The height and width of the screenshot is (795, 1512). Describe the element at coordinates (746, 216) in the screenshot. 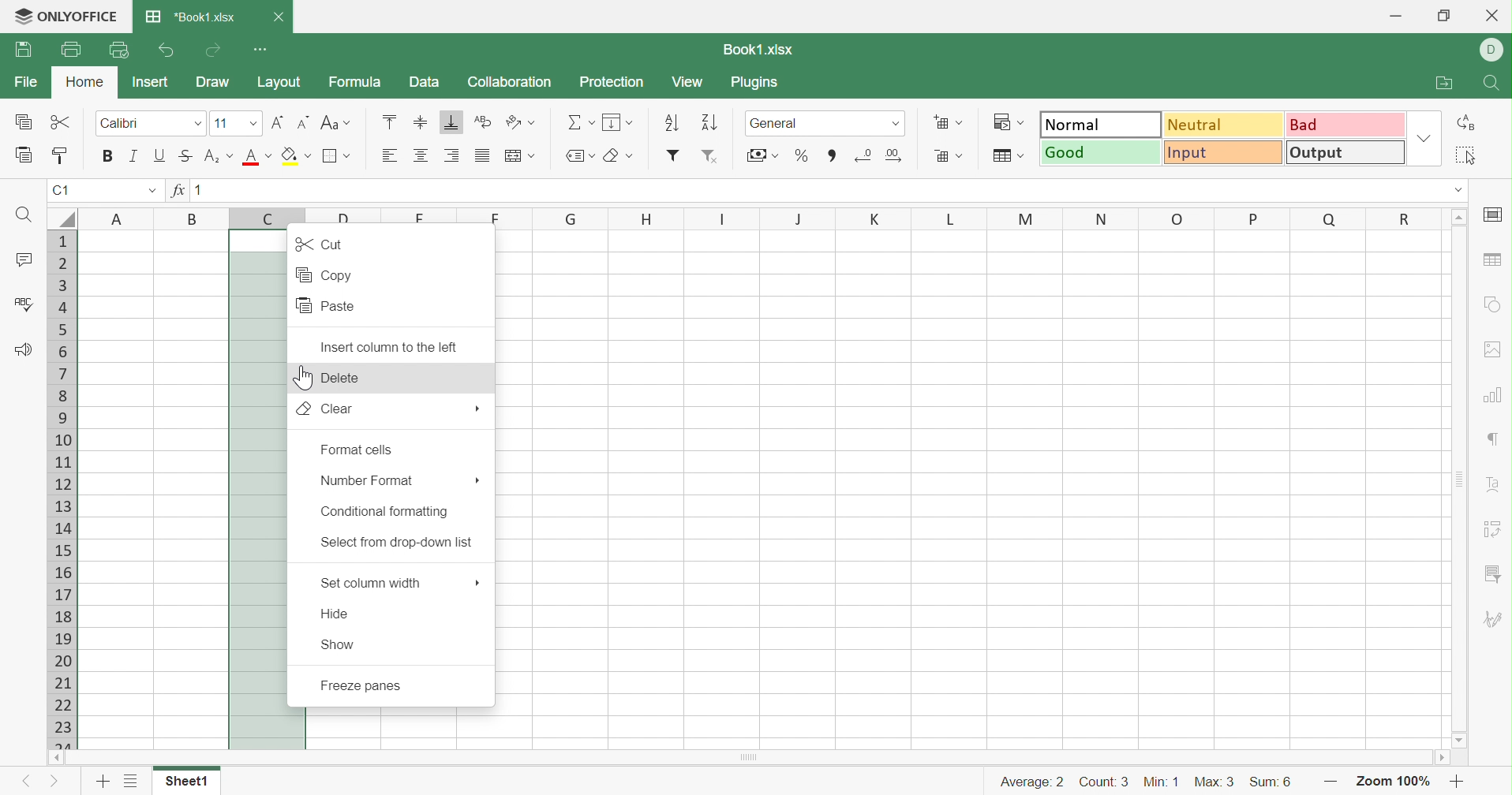

I see `Column Names` at that location.